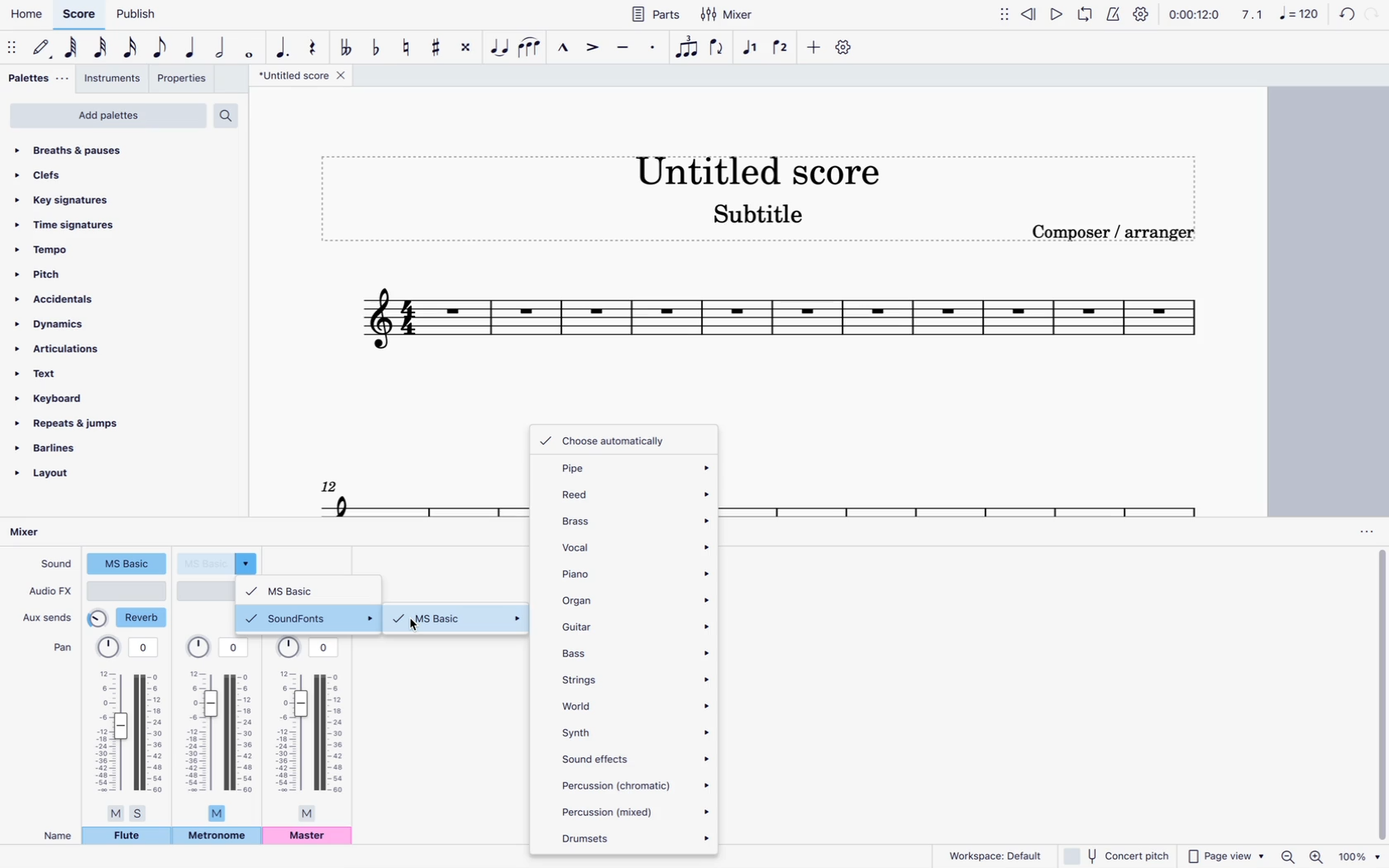 This screenshot has width=1389, height=868. Describe the element at coordinates (1277, 17) in the screenshot. I see `scale` at that location.